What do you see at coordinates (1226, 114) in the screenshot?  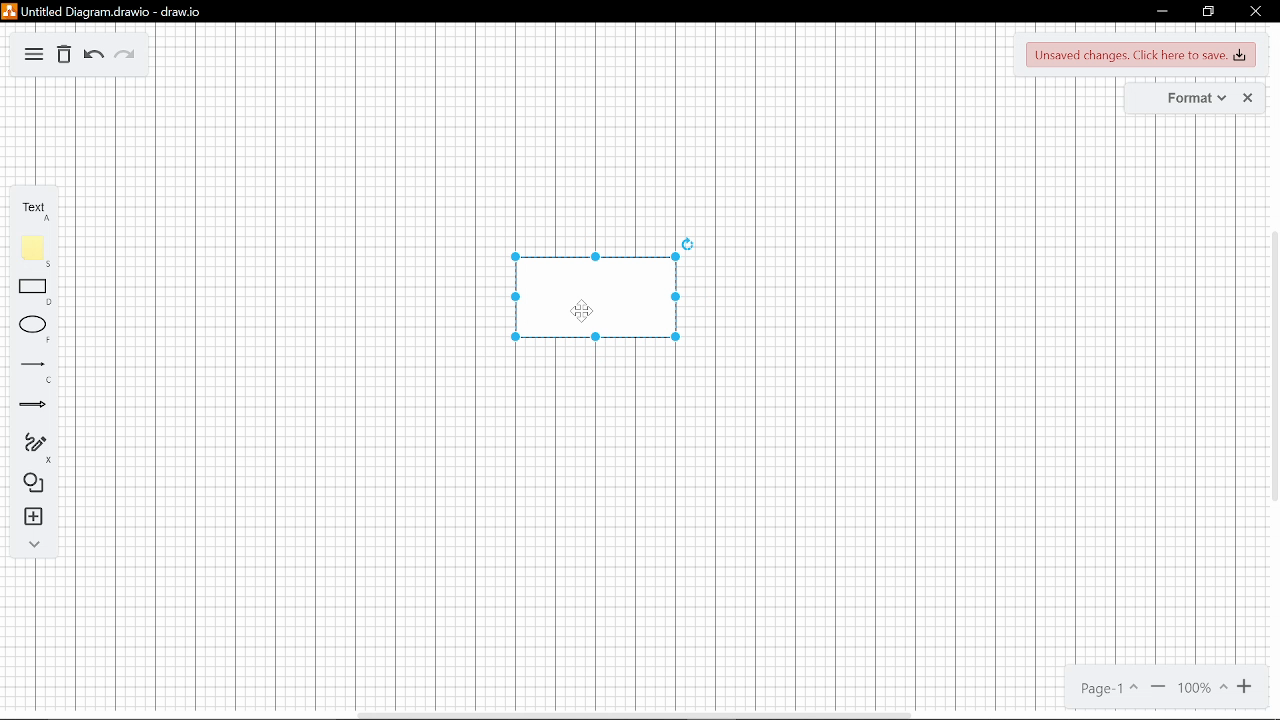 I see `Cursor` at bounding box center [1226, 114].